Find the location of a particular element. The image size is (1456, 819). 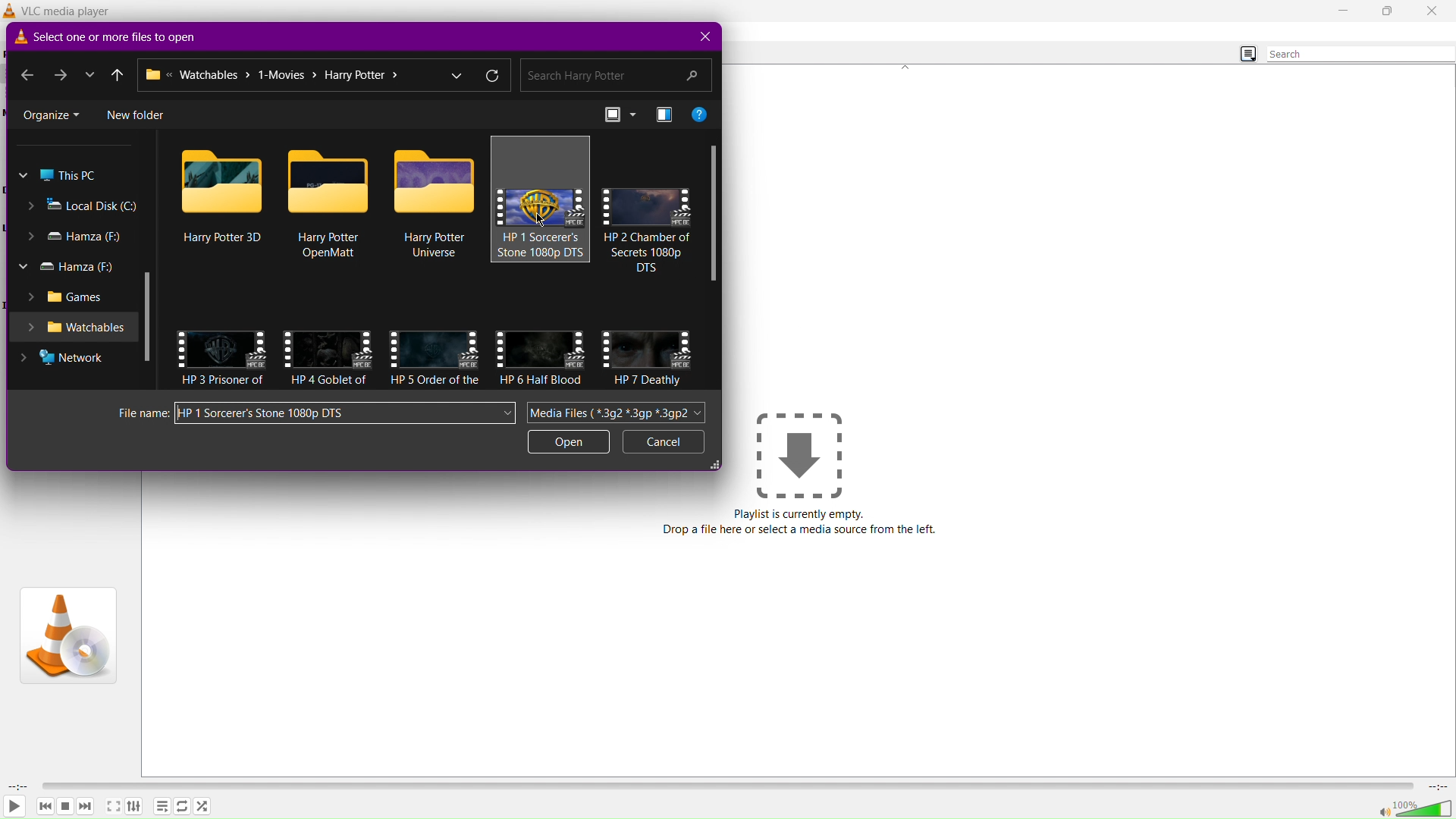

Close is located at coordinates (702, 37).